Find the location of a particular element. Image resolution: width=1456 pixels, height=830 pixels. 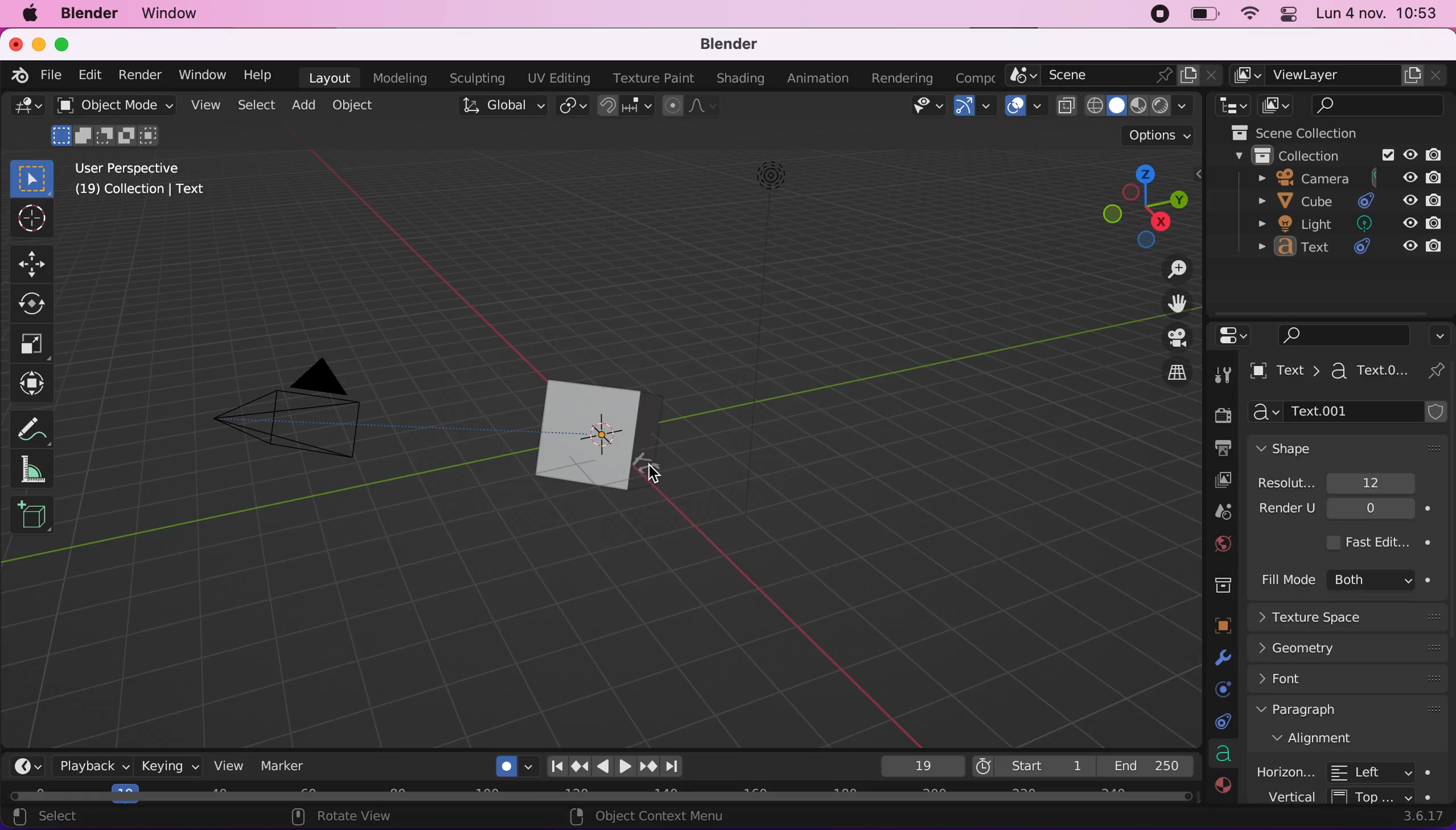

zoom in/out is located at coordinates (1173, 275).